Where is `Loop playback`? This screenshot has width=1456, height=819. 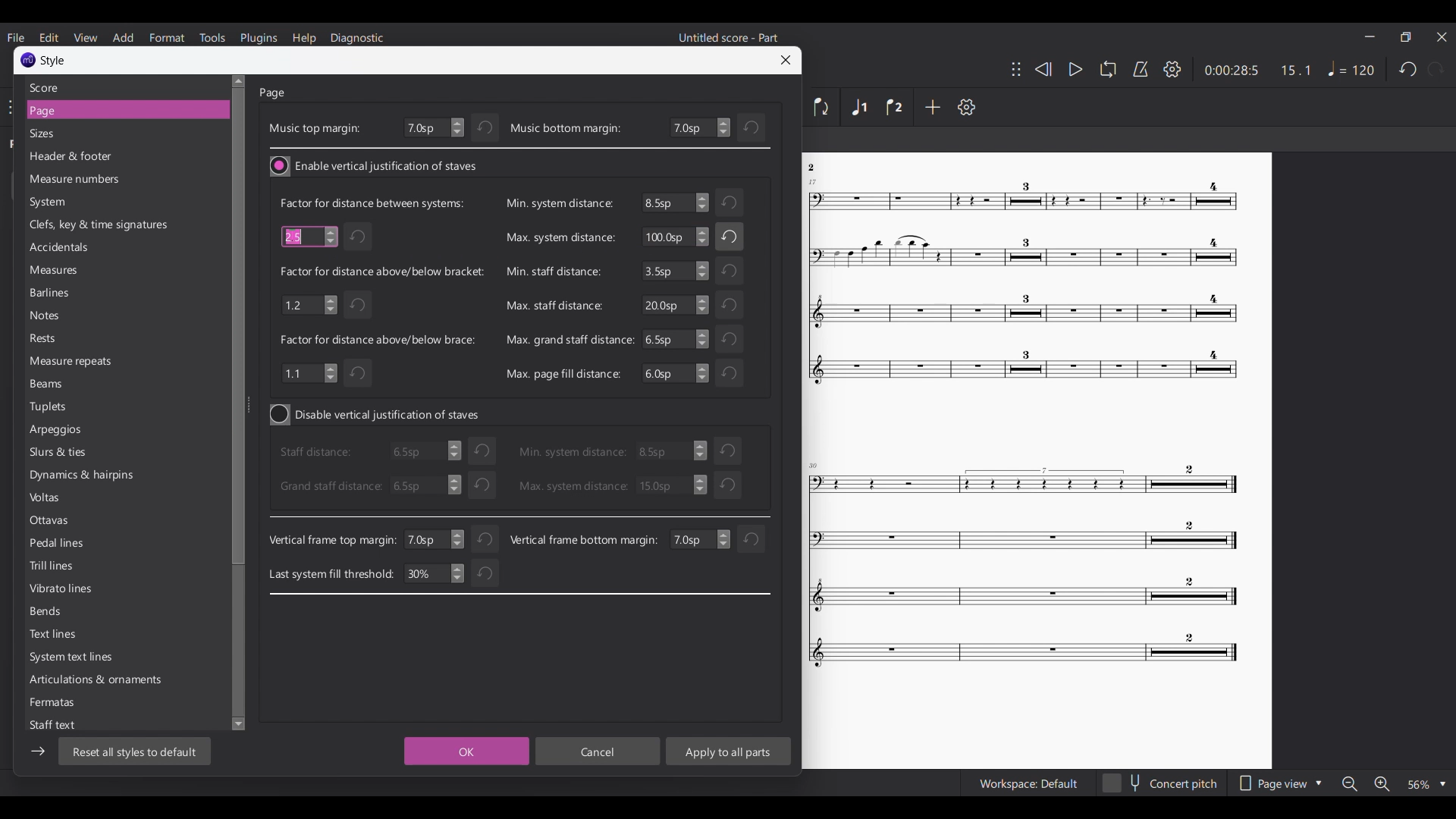 Loop playback is located at coordinates (1108, 69).